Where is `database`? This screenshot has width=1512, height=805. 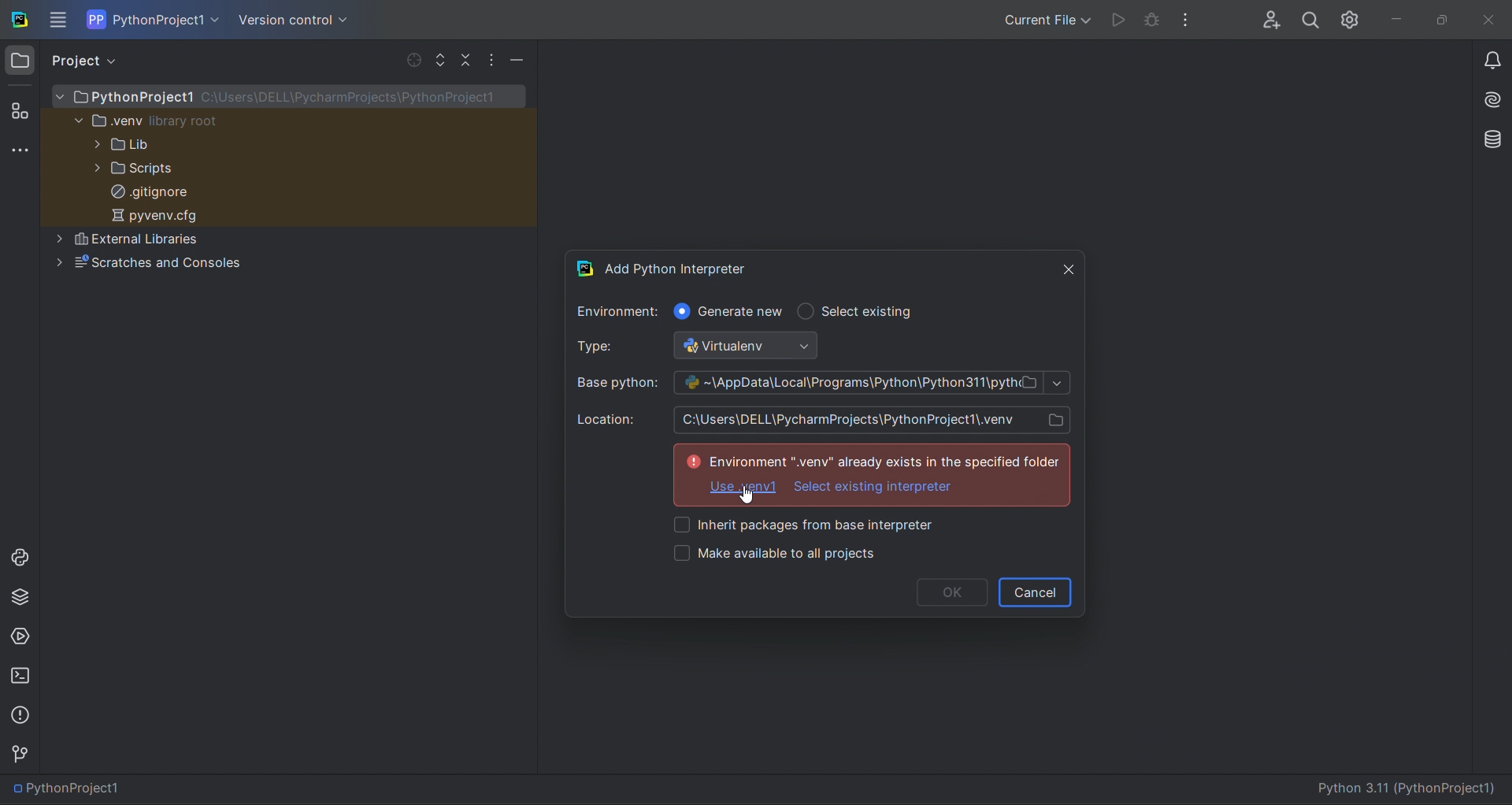 database is located at coordinates (1488, 138).